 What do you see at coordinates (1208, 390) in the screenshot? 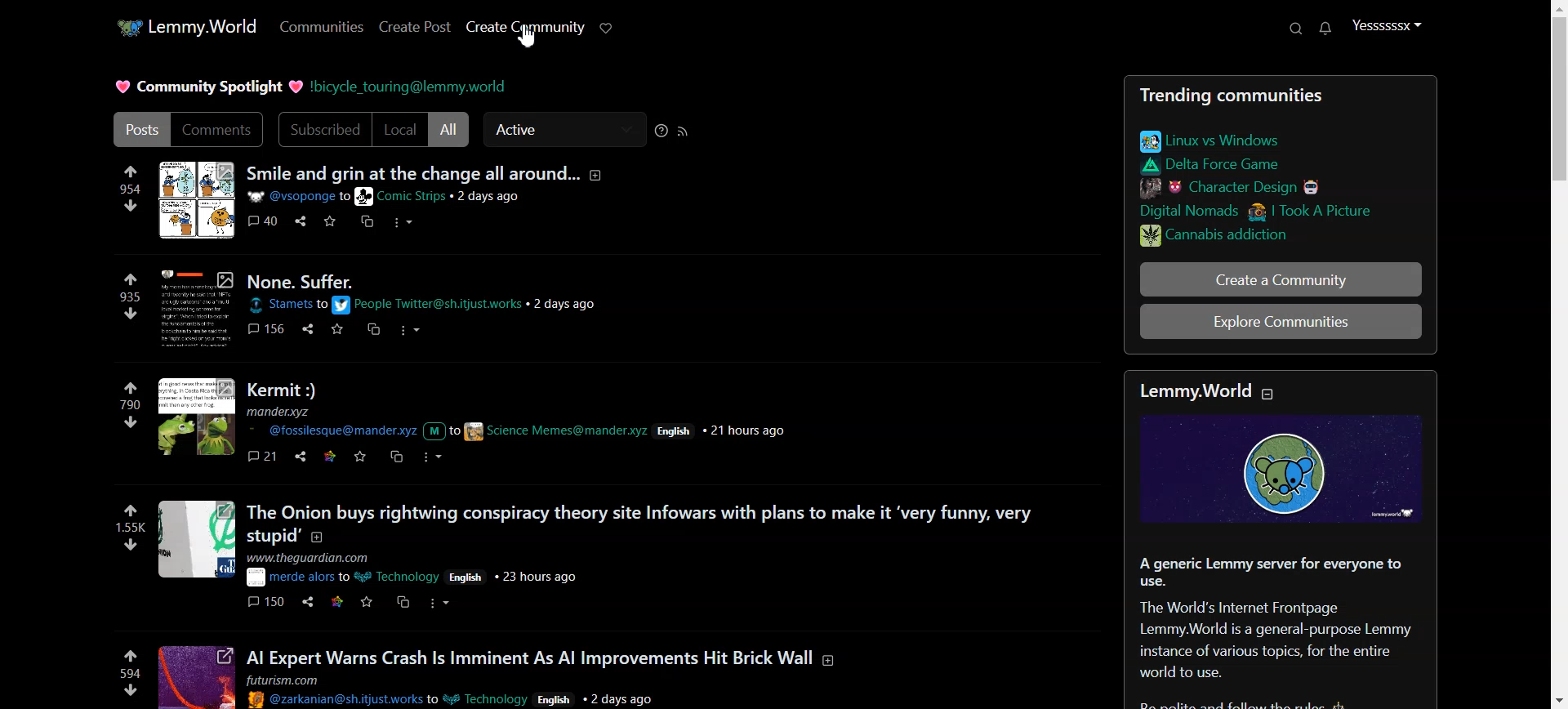
I see `Lemmyworld` at bounding box center [1208, 390].